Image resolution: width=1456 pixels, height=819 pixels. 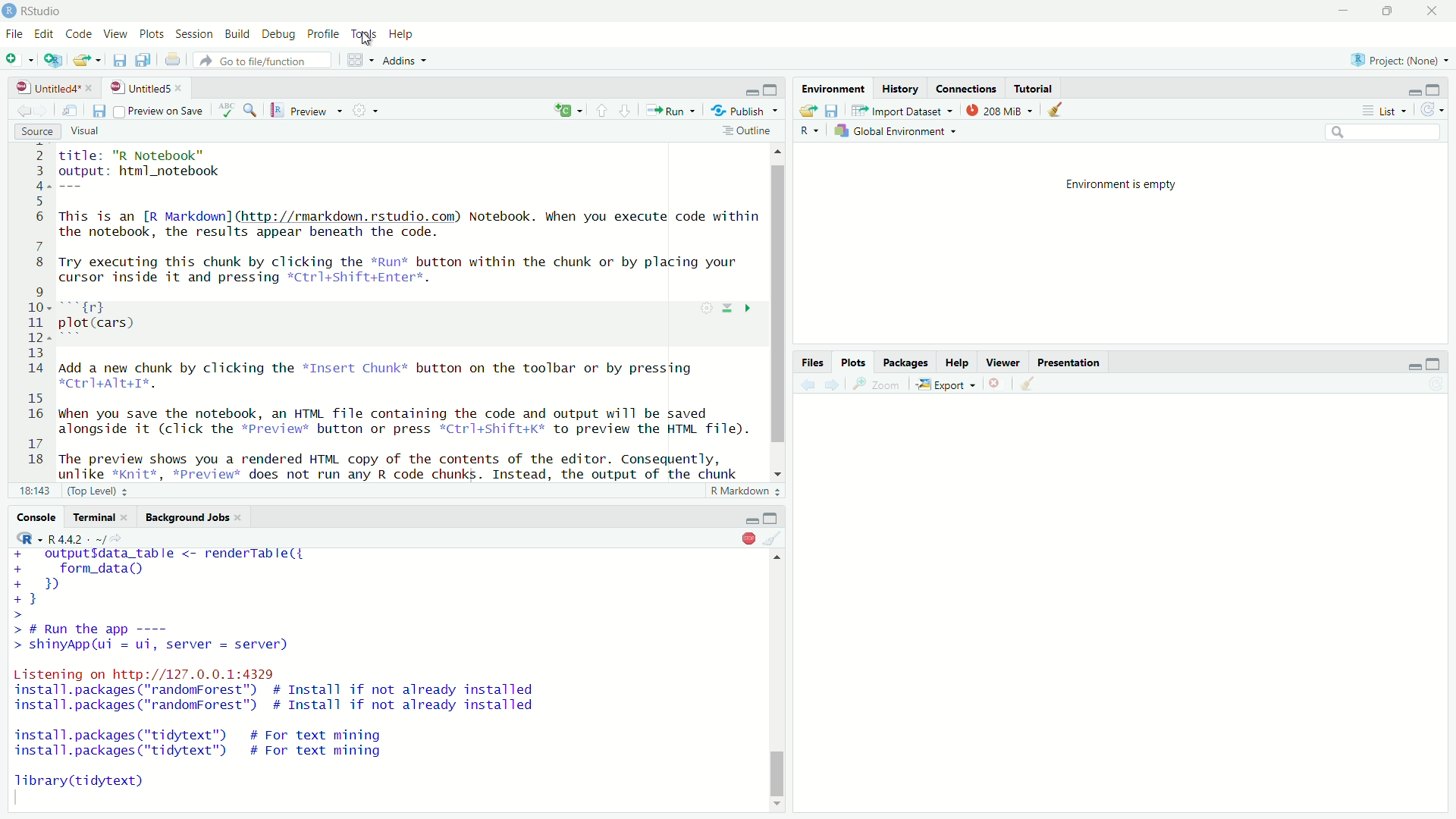 What do you see at coordinates (1431, 11) in the screenshot?
I see `close` at bounding box center [1431, 11].